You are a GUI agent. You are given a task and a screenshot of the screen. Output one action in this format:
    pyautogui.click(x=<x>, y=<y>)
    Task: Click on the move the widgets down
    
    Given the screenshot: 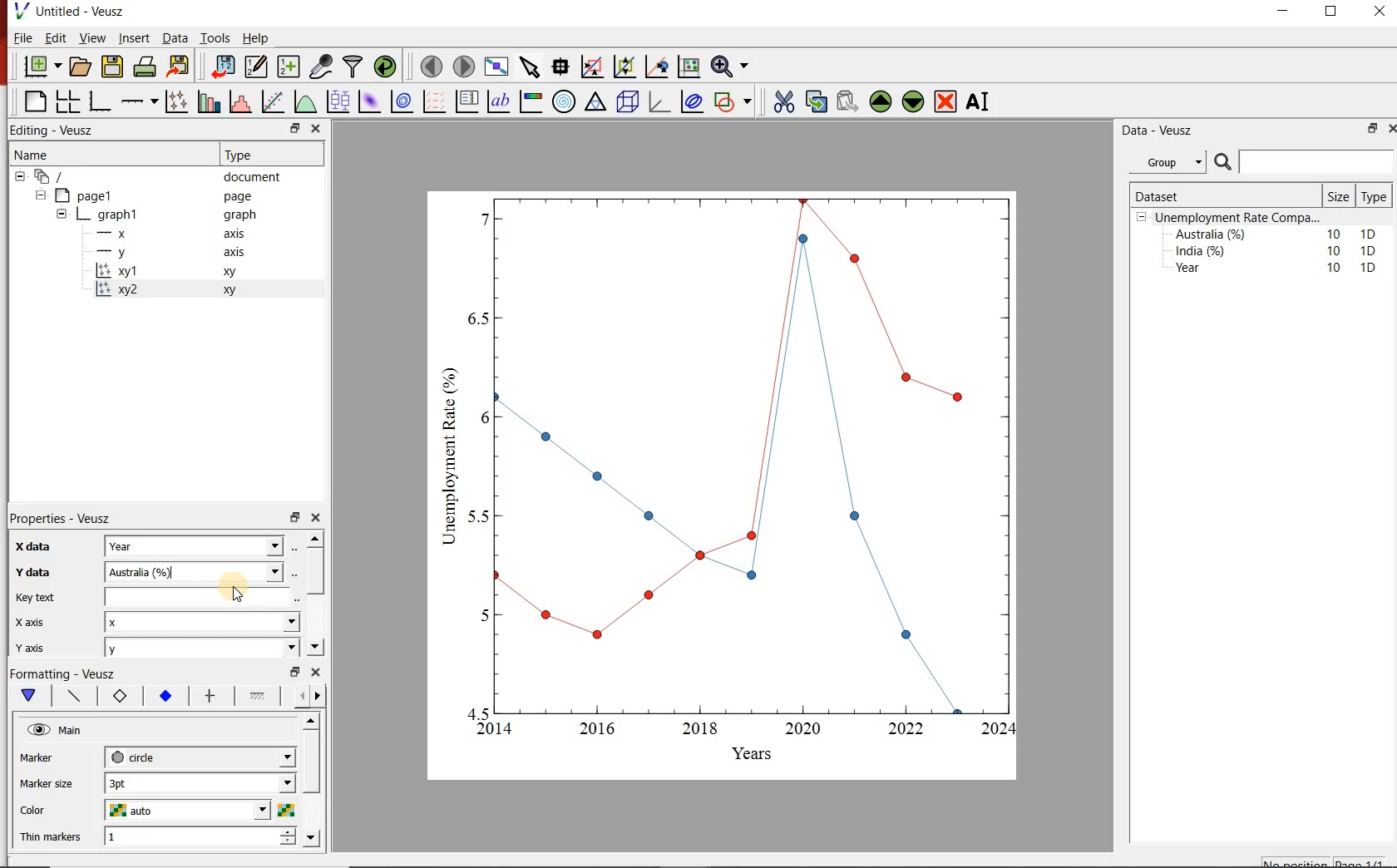 What is the action you would take?
    pyautogui.click(x=911, y=101)
    